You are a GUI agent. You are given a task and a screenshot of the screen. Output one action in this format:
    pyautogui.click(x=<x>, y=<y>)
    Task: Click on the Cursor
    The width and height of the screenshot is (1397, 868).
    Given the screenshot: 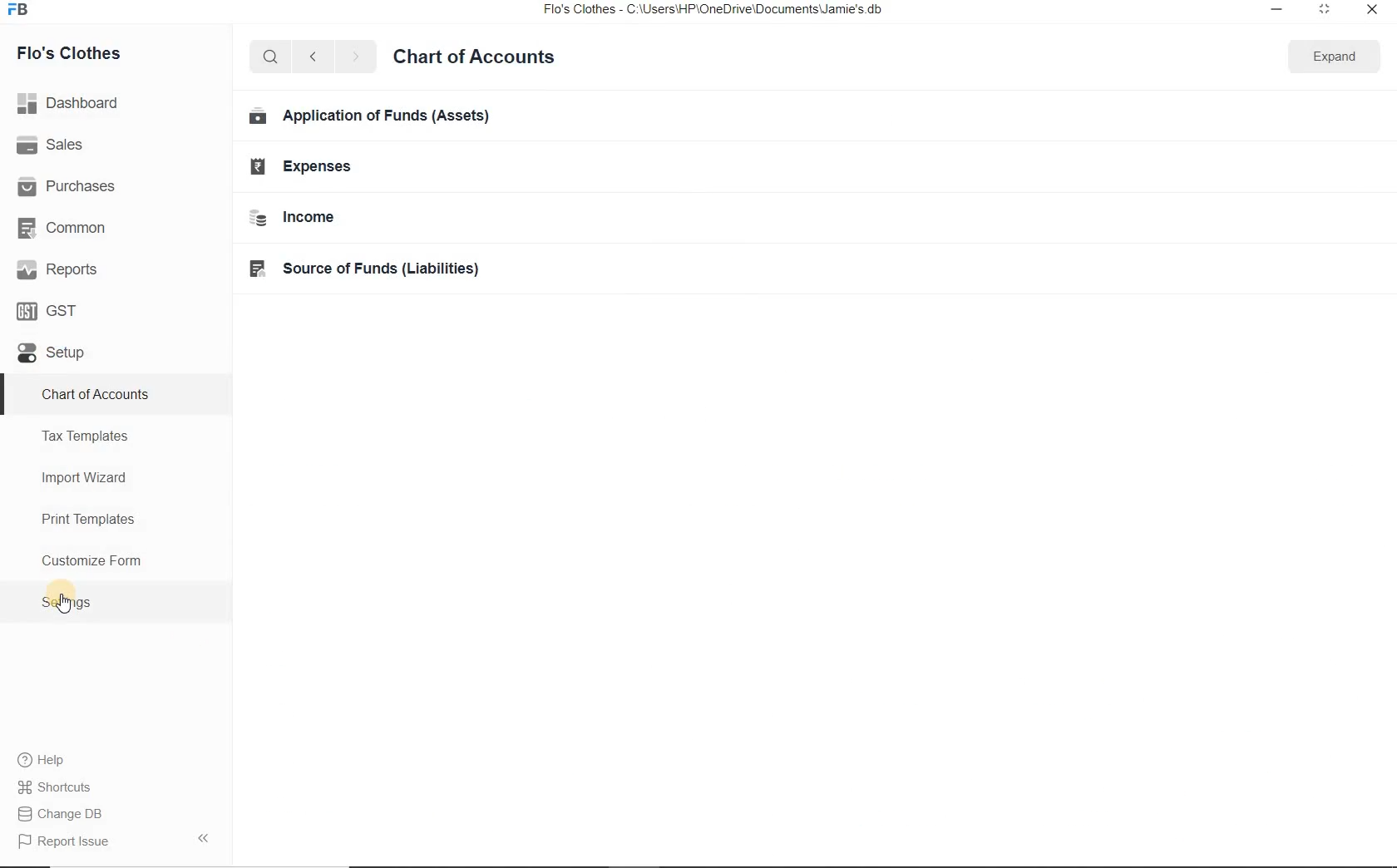 What is the action you would take?
    pyautogui.click(x=62, y=607)
    